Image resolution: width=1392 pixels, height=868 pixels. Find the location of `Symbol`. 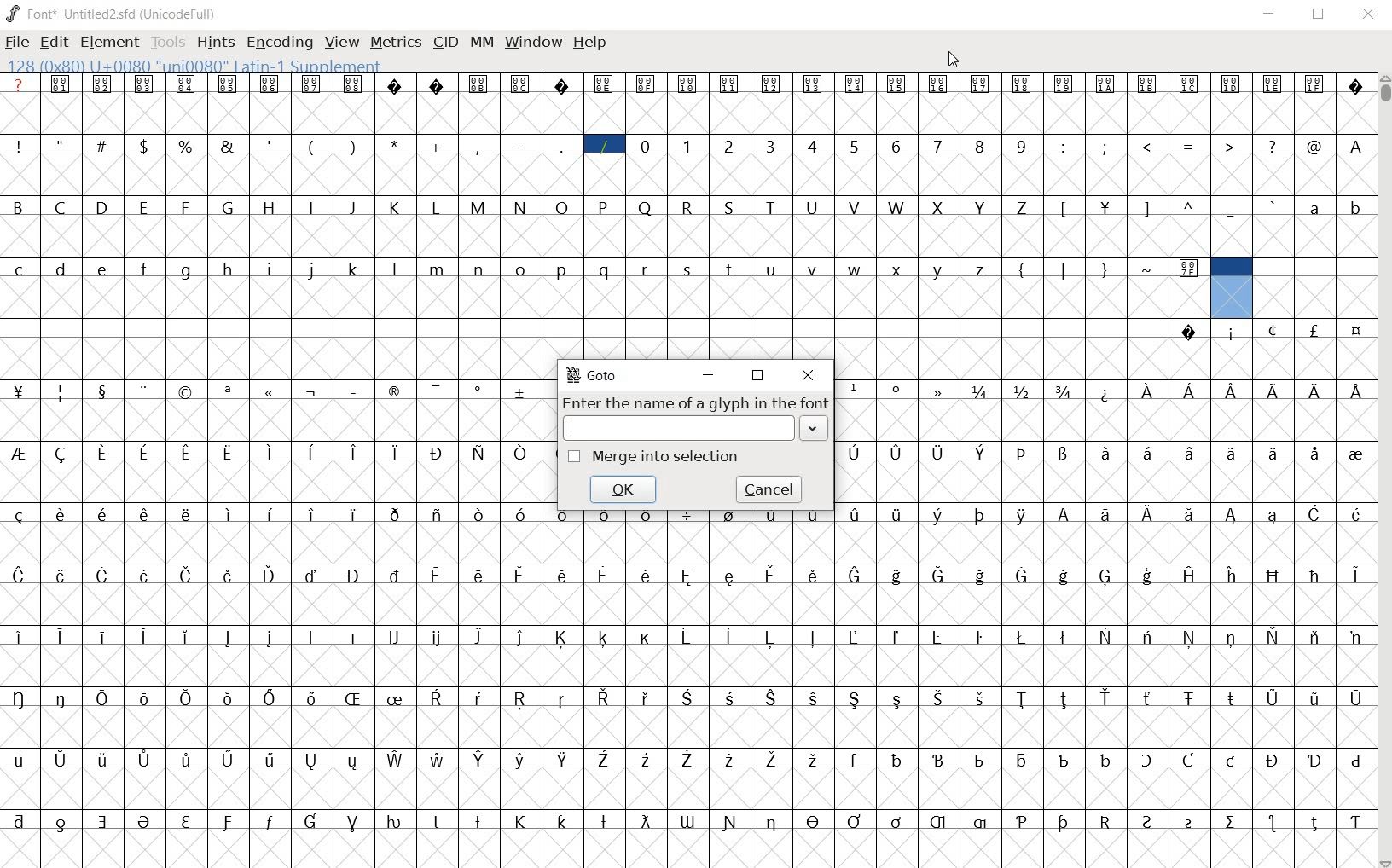

Symbol is located at coordinates (1106, 821).